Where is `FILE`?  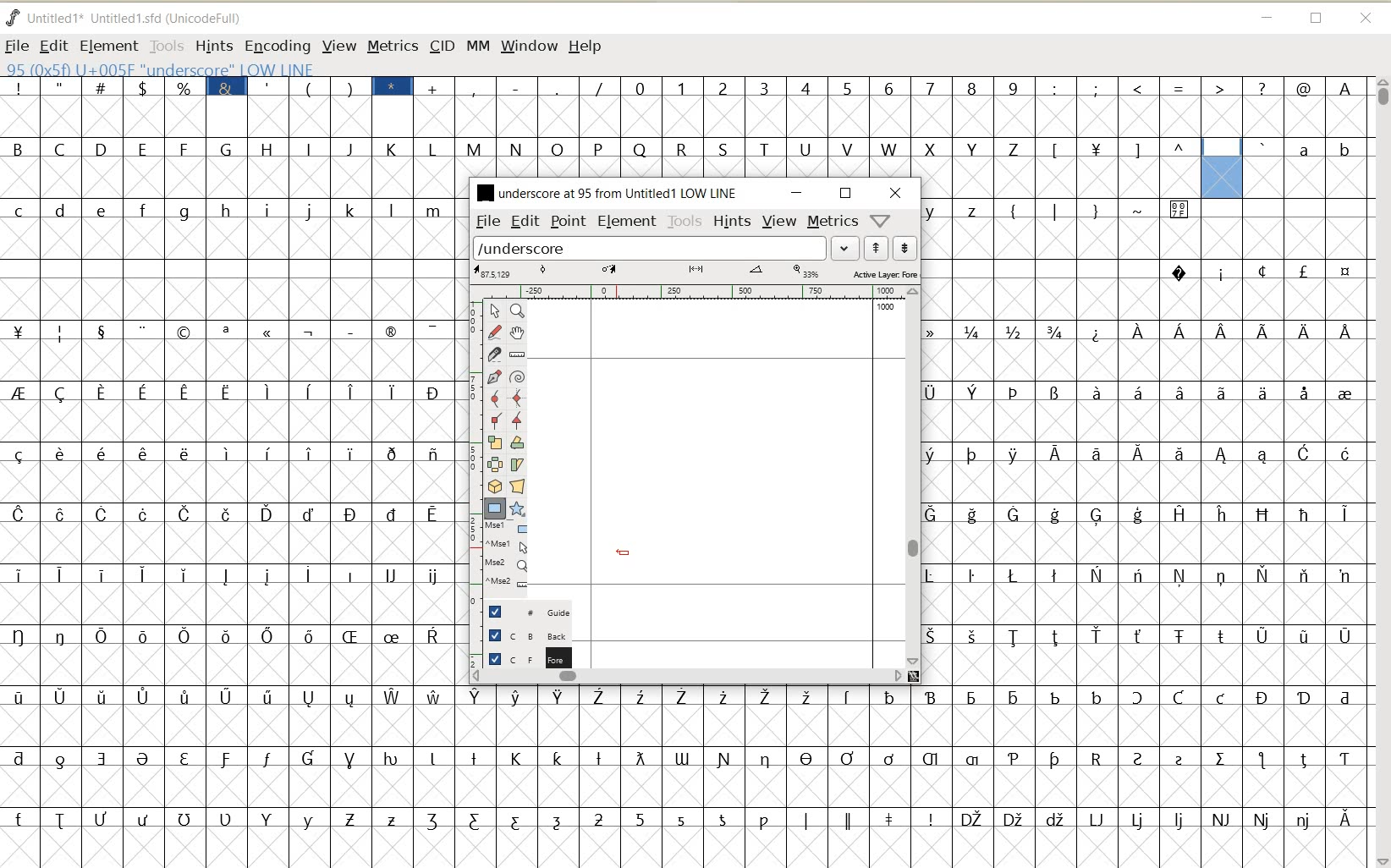
FILE is located at coordinates (487, 222).